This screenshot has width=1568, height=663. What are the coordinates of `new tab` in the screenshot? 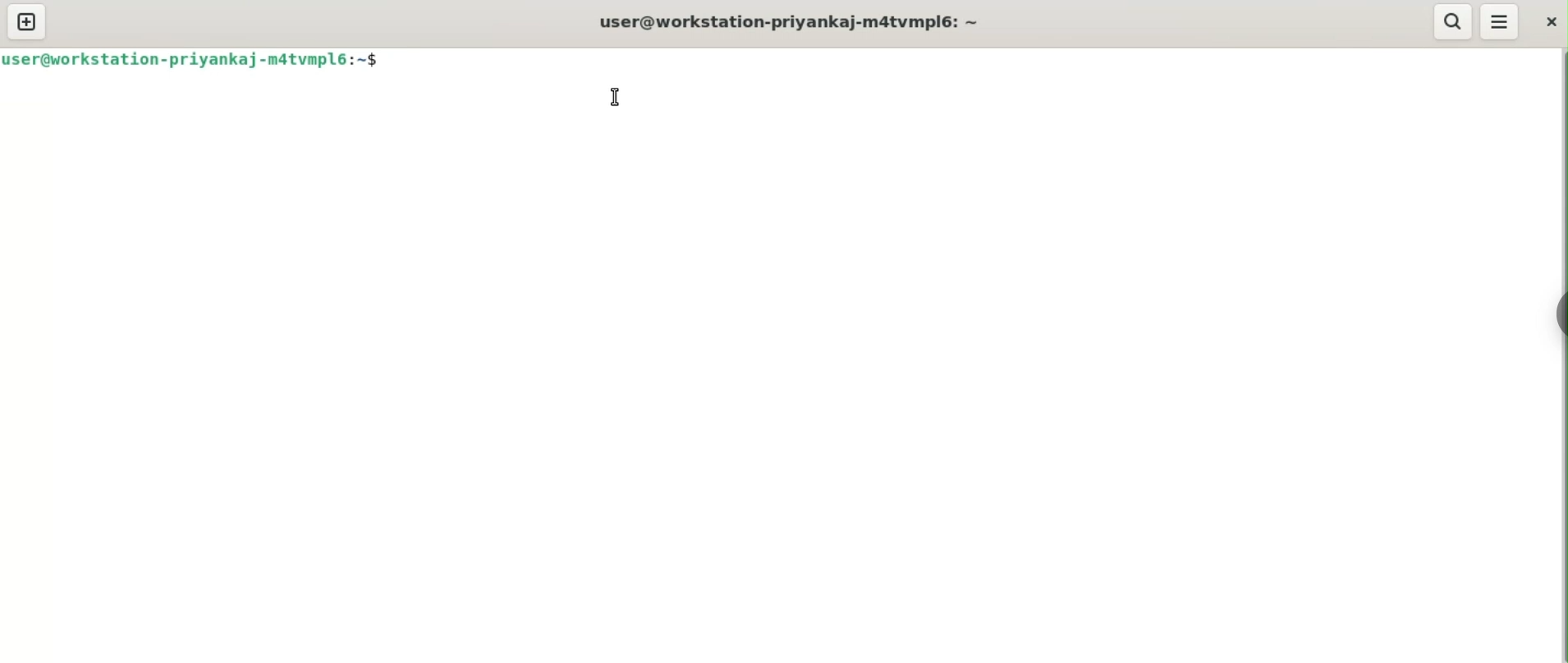 It's located at (29, 22).